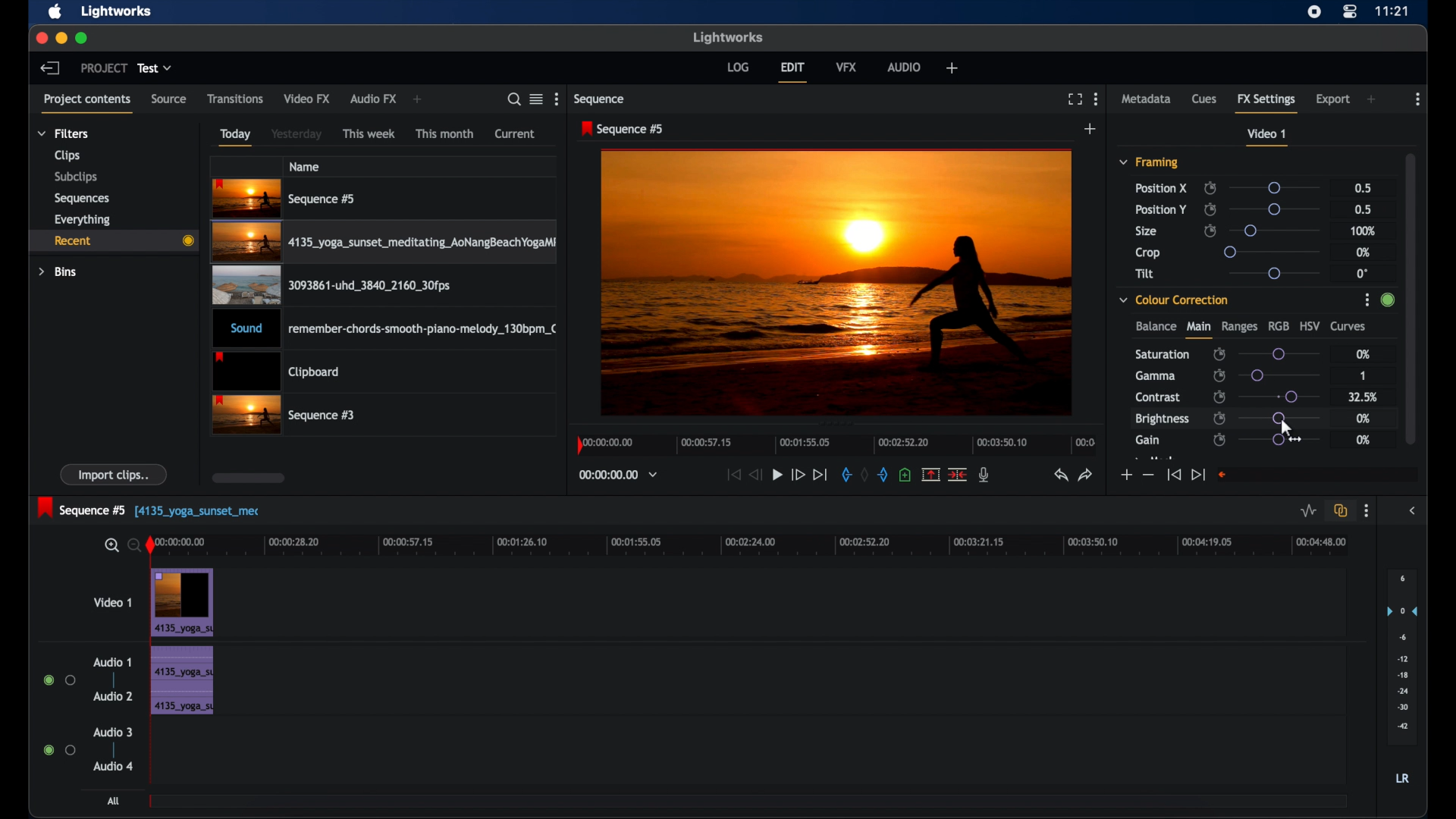  Describe the element at coordinates (984, 474) in the screenshot. I see `mic` at that location.